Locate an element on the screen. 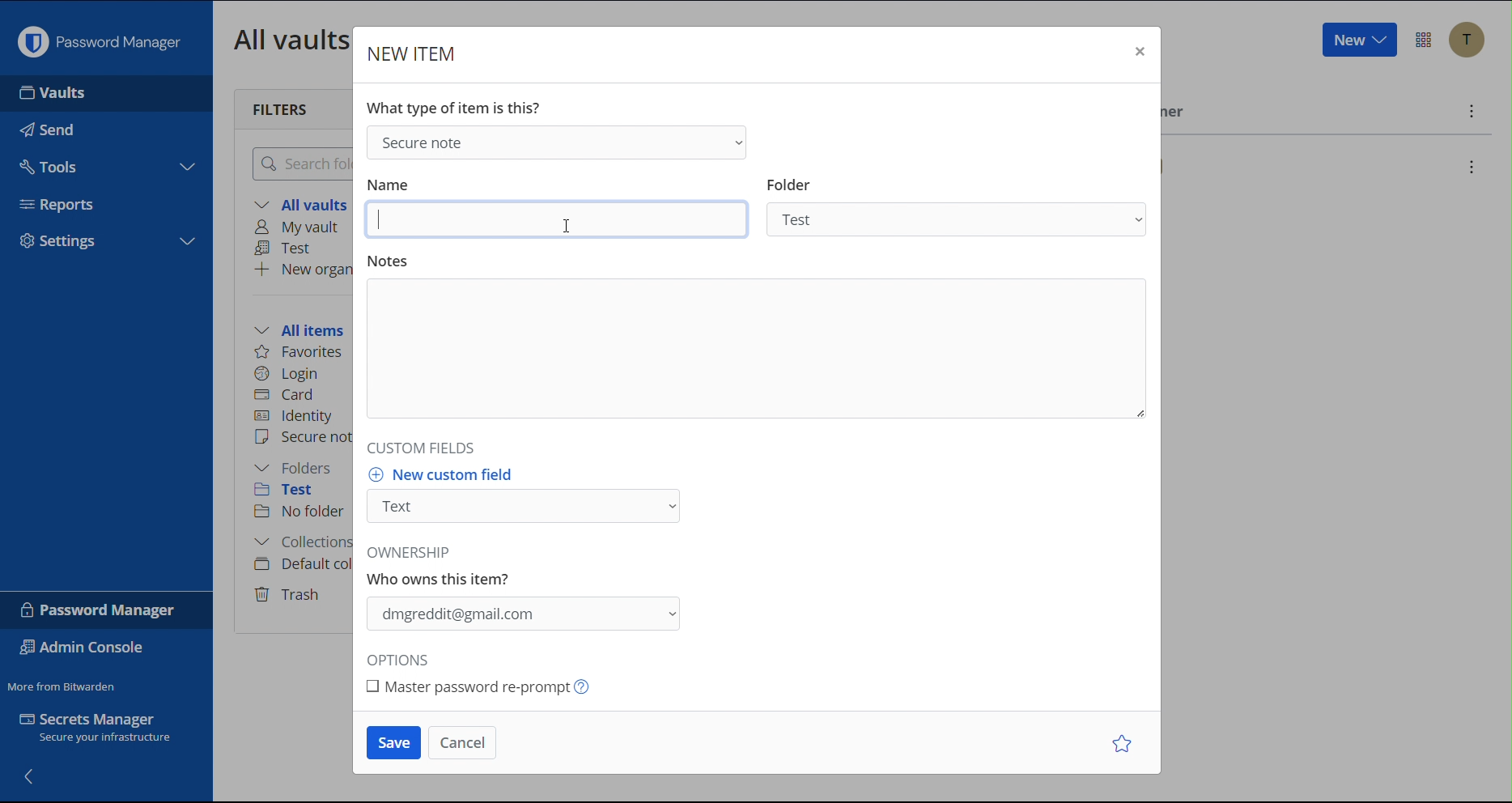  Accounts is located at coordinates (1467, 40).